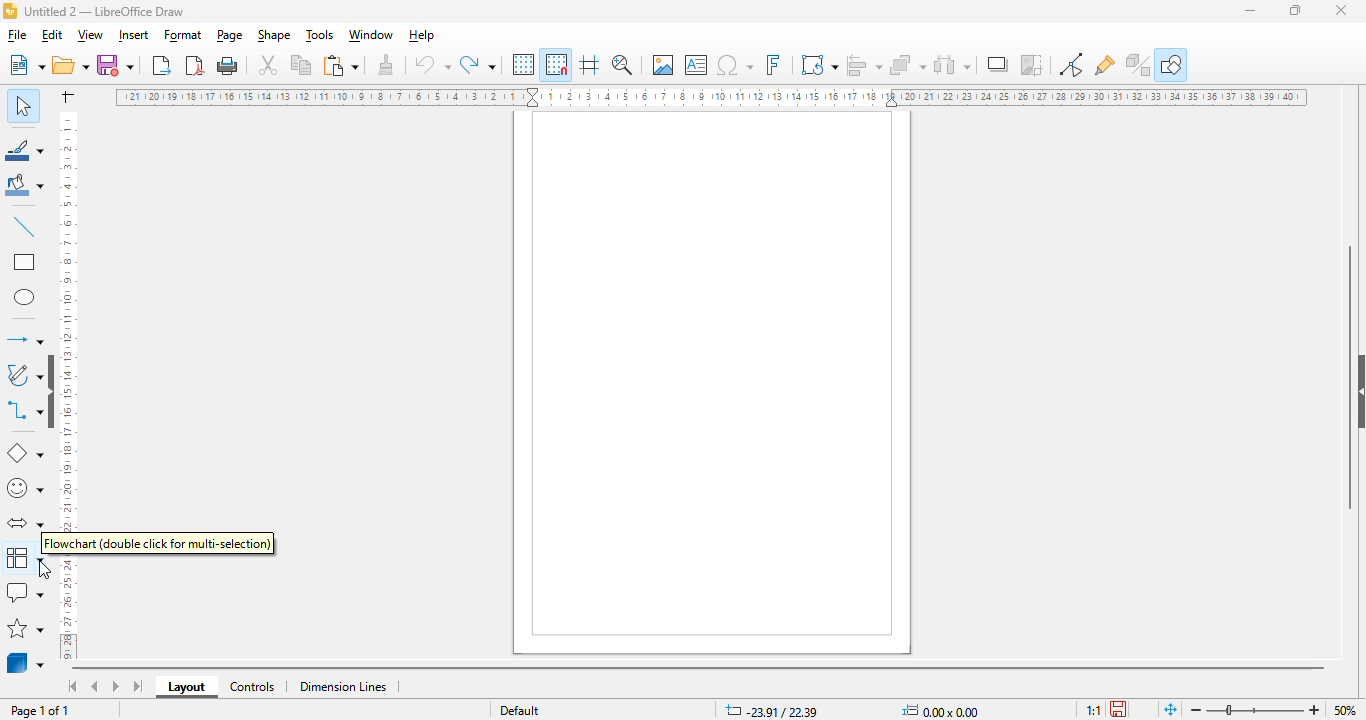 This screenshot has height=720, width=1366. I want to click on zoom out, so click(1197, 710).